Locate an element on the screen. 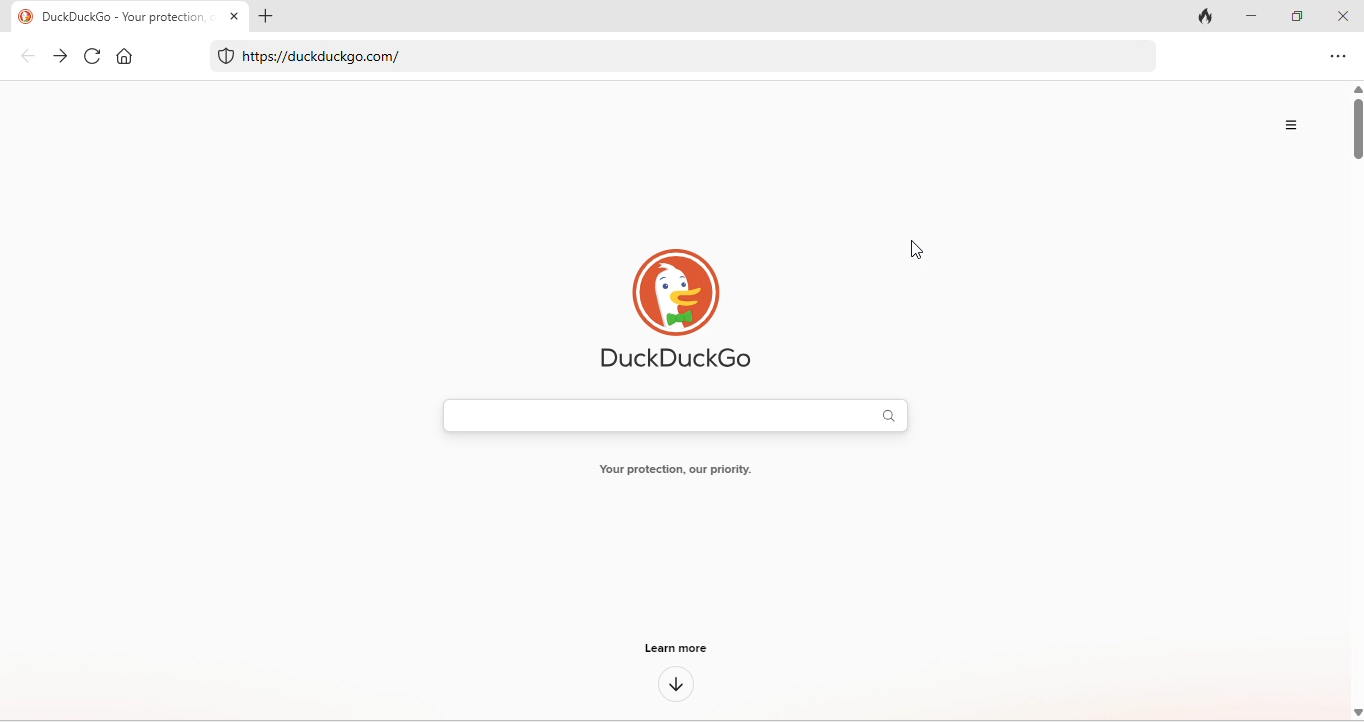 This screenshot has height=722, width=1364. minimize is located at coordinates (1252, 17).